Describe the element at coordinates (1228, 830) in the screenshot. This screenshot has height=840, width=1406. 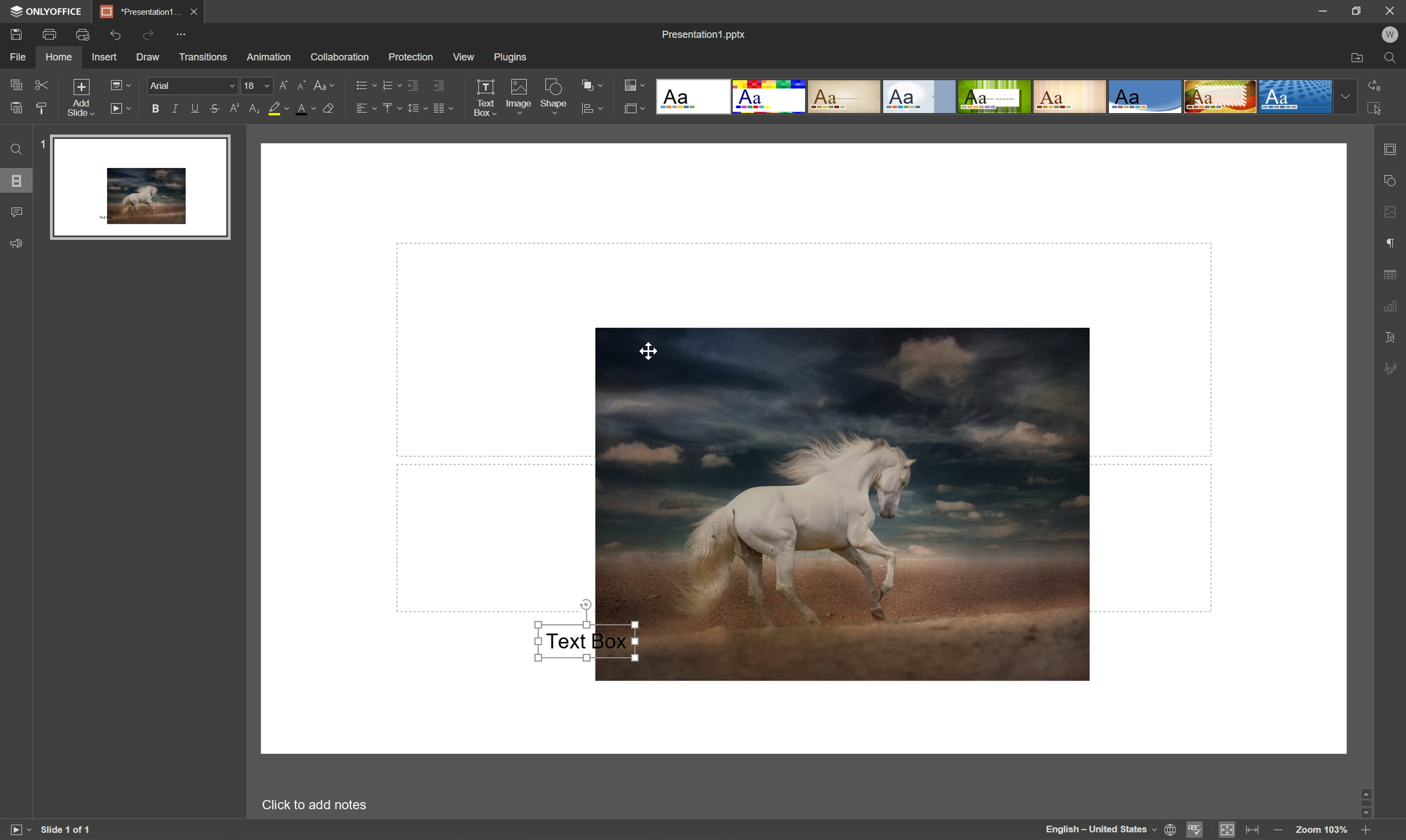
I see `Fit to slide` at that location.